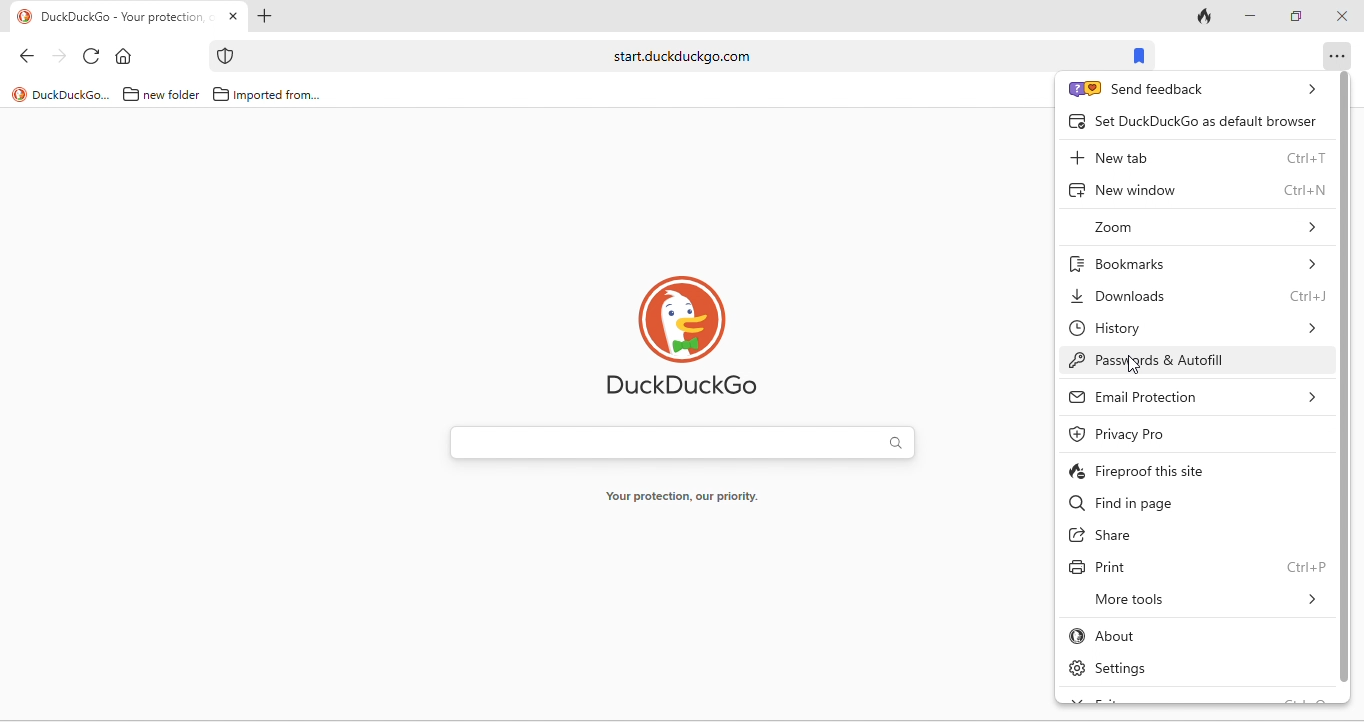 The image size is (1364, 722). I want to click on folder icon, so click(221, 94).